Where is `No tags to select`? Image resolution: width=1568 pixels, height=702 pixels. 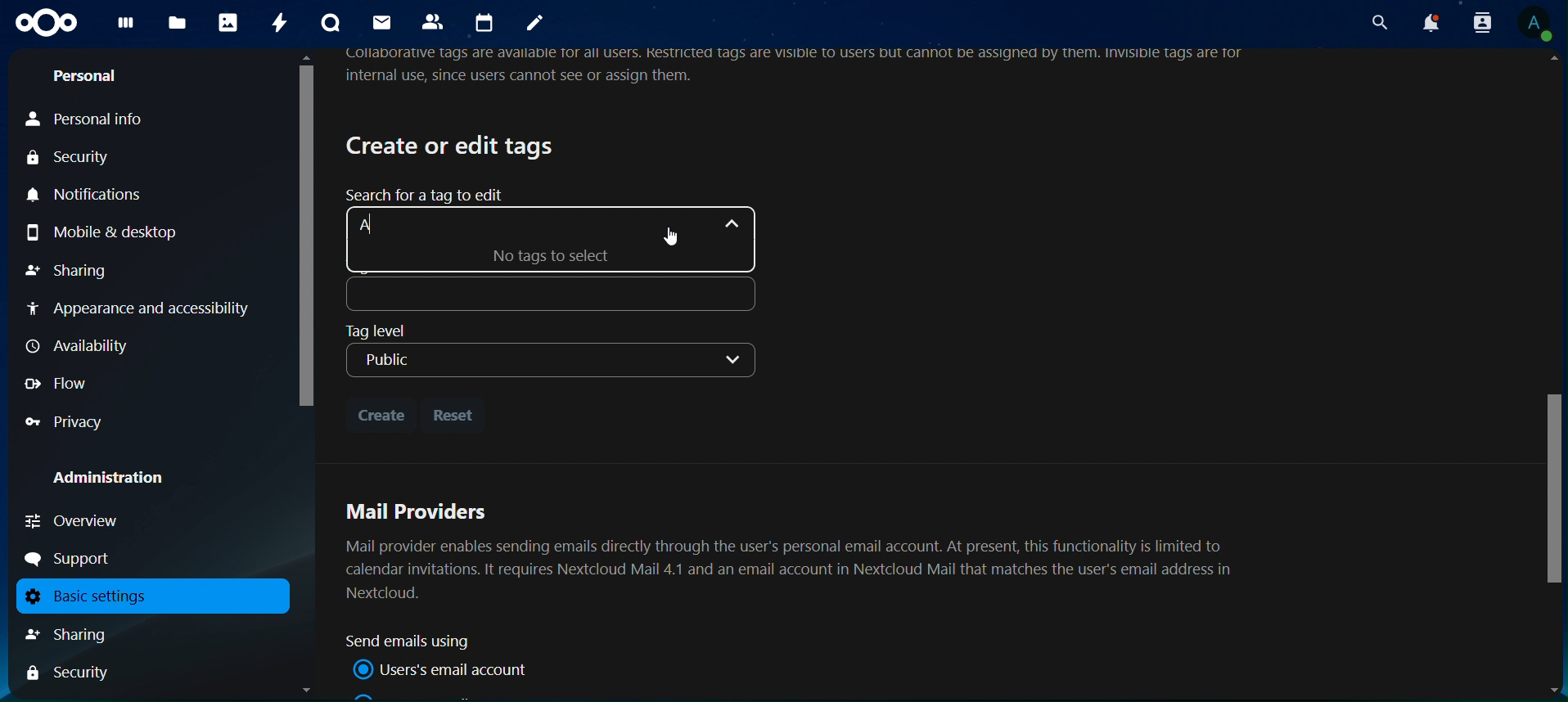 No tags to select is located at coordinates (582, 255).